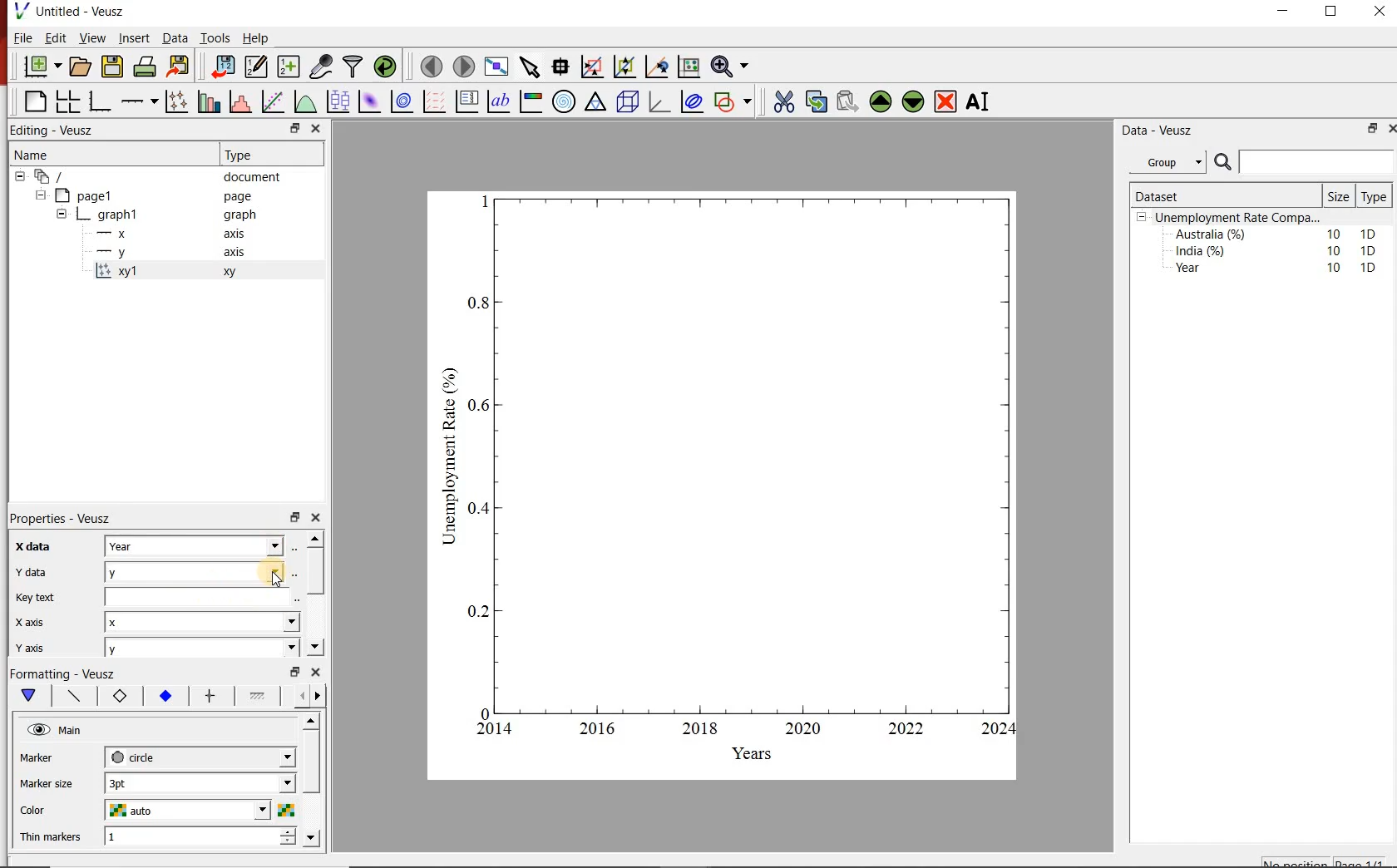 The height and width of the screenshot is (868, 1397). Describe the element at coordinates (76, 697) in the screenshot. I see `plot line` at that location.